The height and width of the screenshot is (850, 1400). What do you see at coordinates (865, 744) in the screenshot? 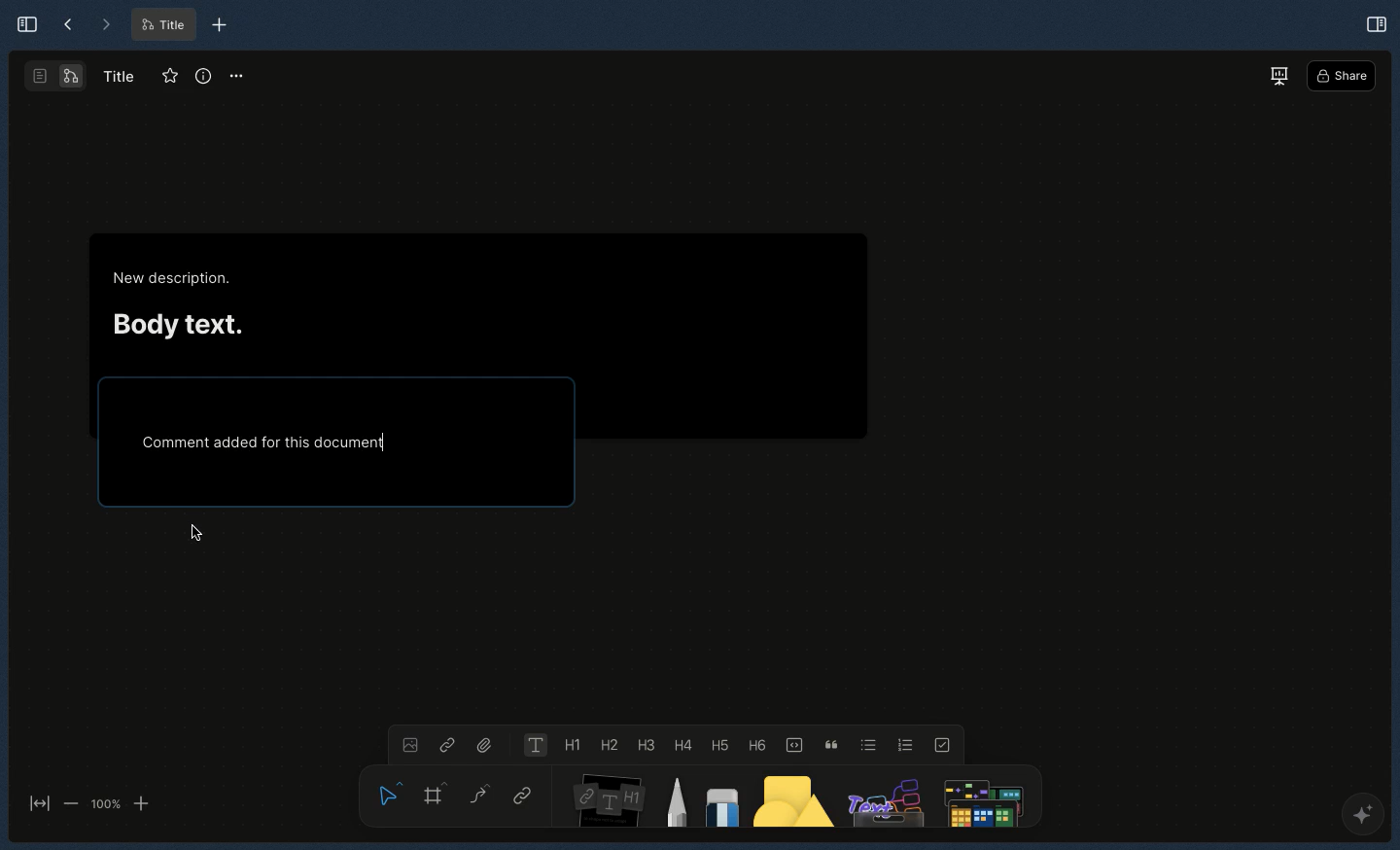
I see `Bulleted list` at bounding box center [865, 744].